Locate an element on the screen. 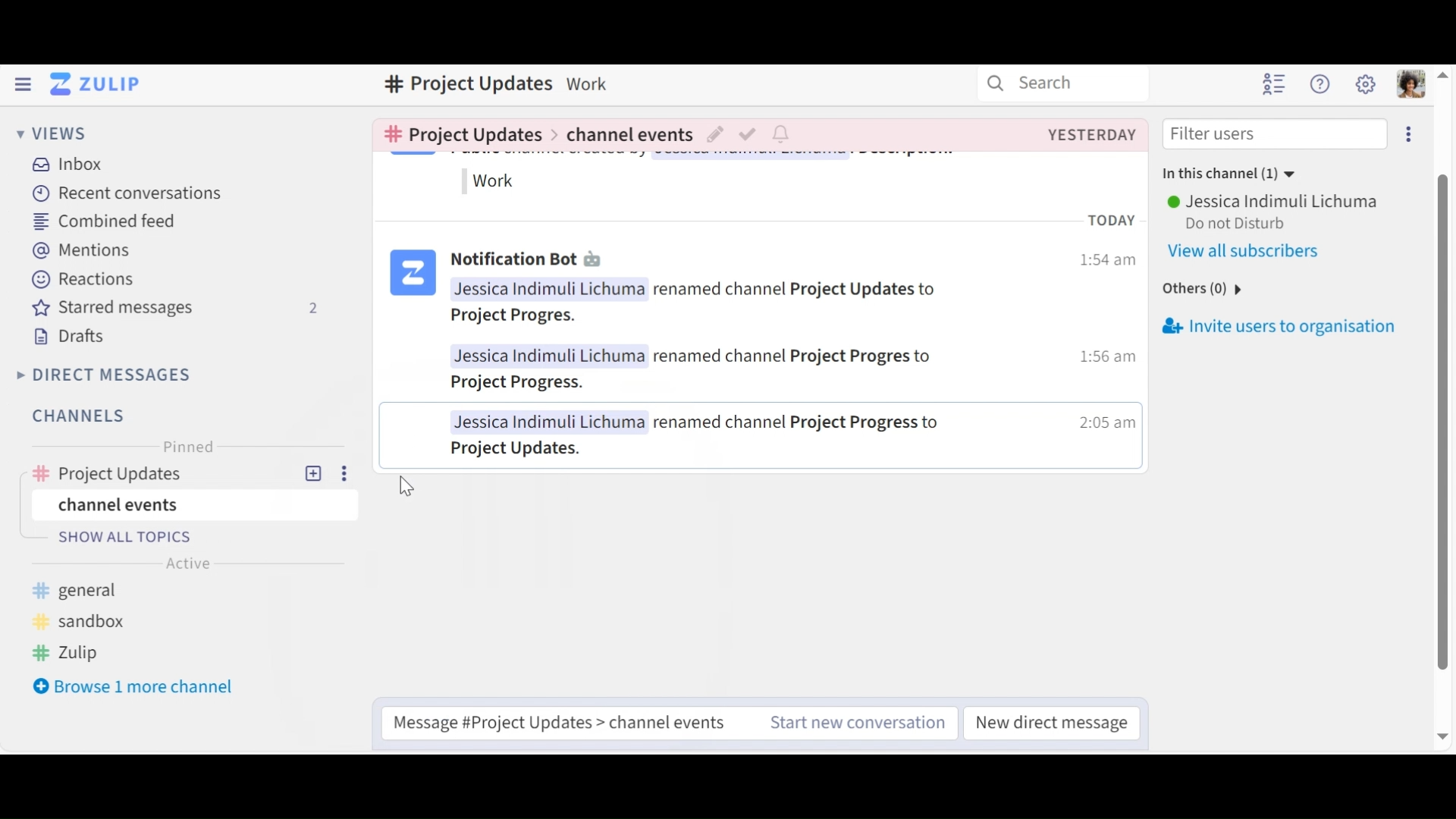  Channel name is located at coordinates (466, 84).